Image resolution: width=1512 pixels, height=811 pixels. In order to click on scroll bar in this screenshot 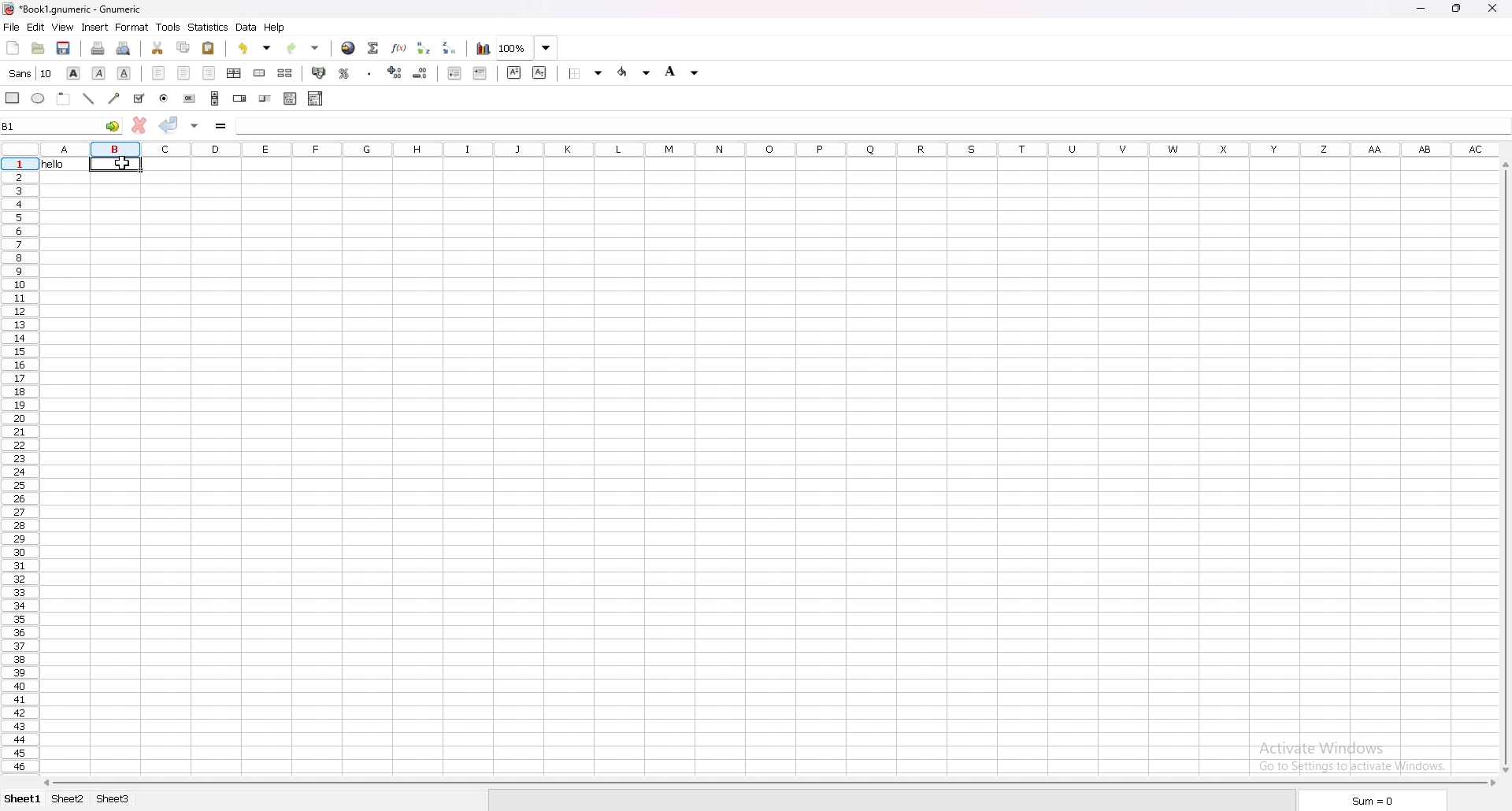, I will do `click(771, 783)`.